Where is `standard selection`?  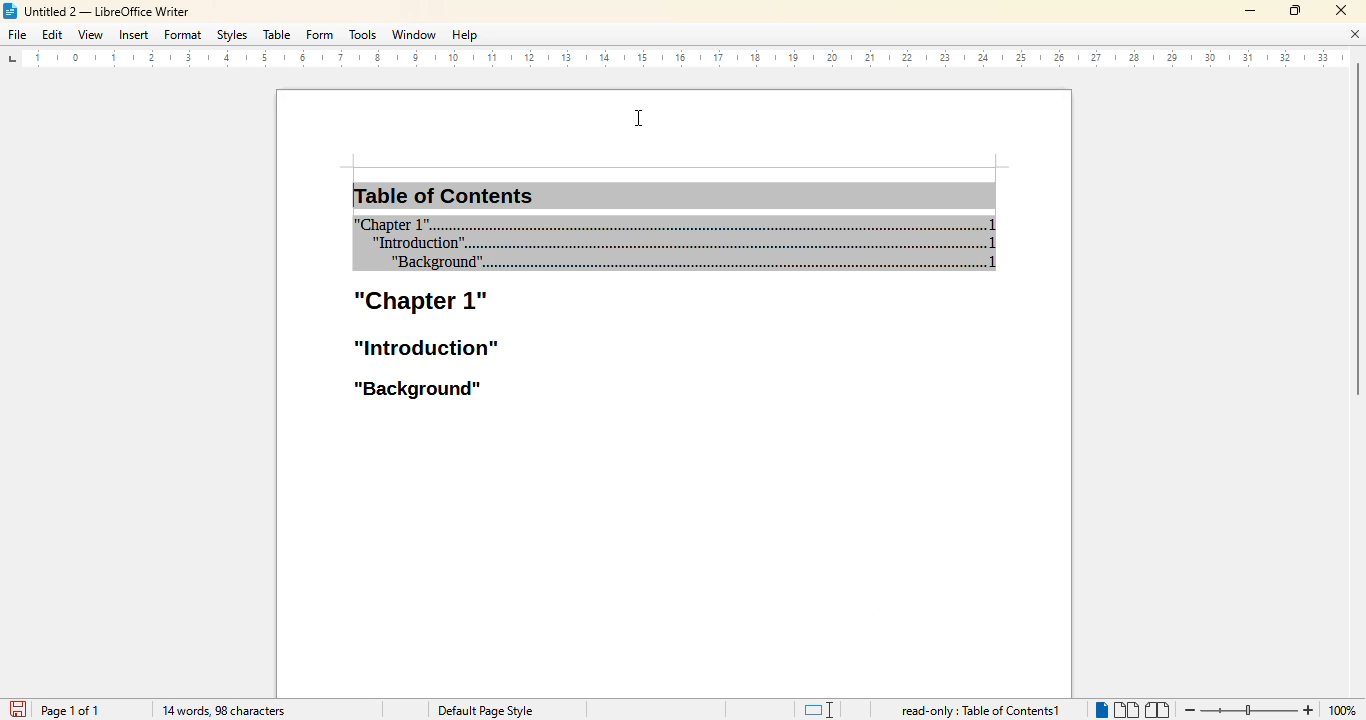 standard selection is located at coordinates (819, 709).